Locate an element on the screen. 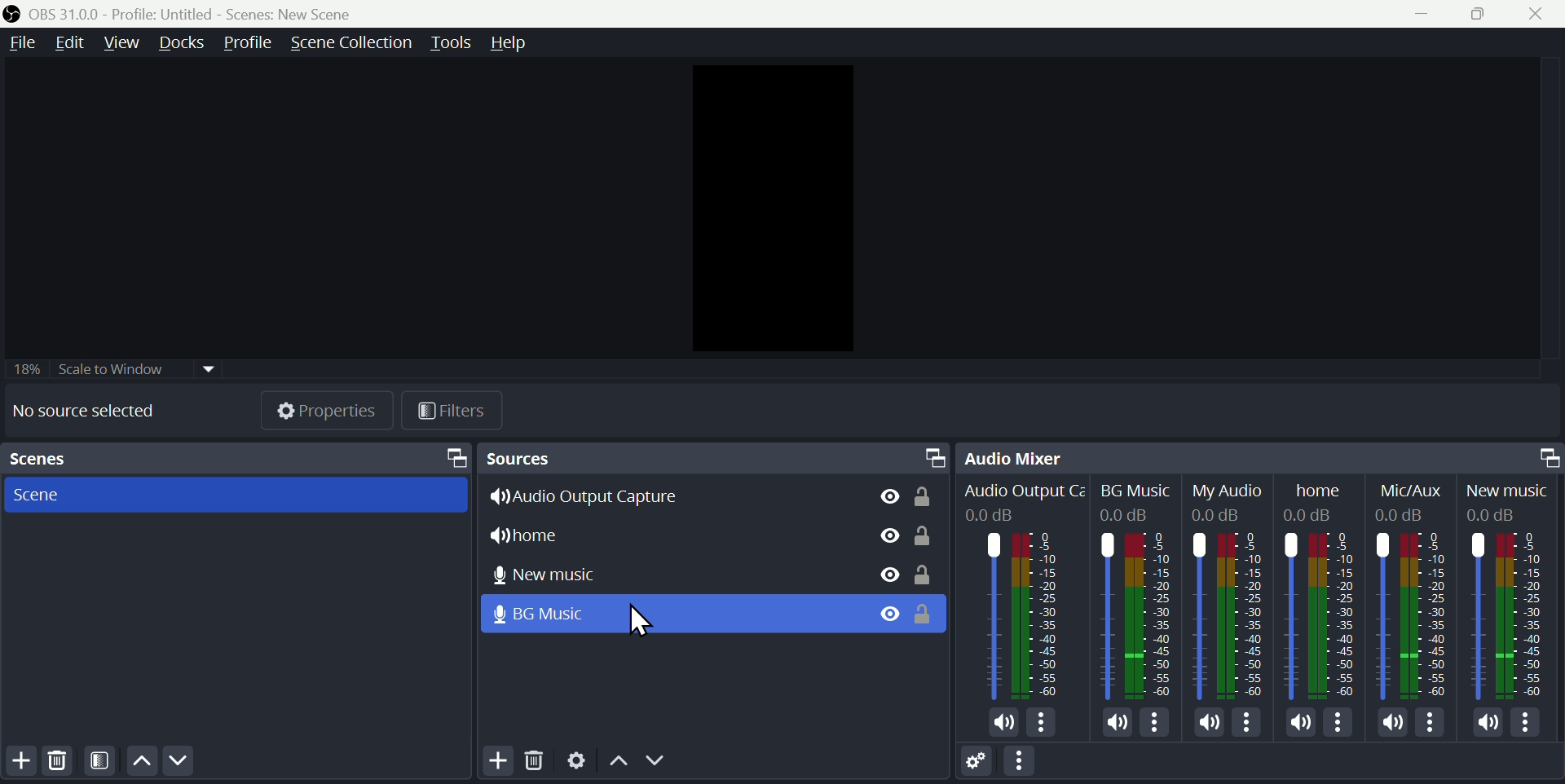  add is located at coordinates (494, 764).